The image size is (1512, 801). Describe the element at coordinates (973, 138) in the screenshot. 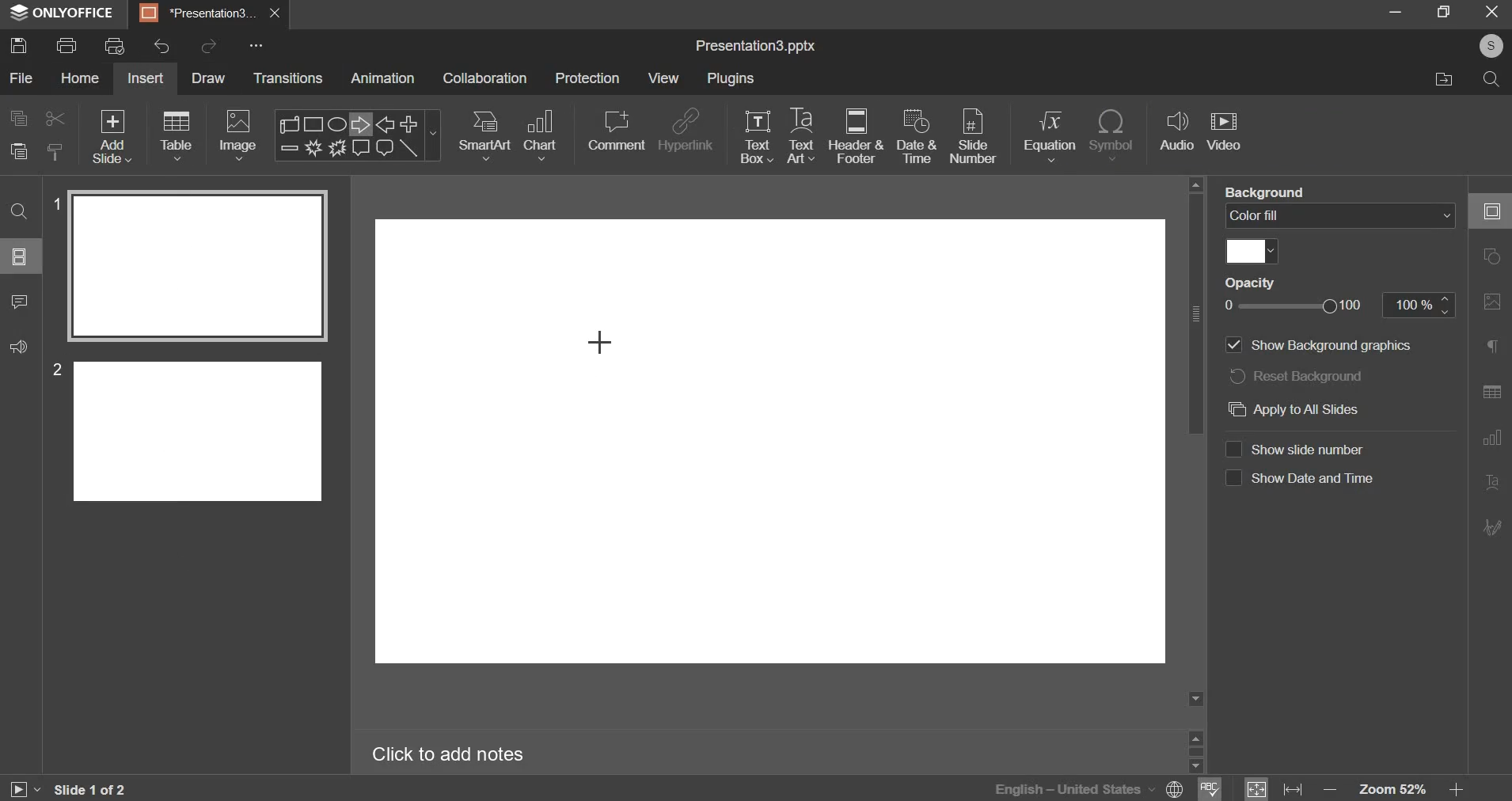

I see `slide number` at that location.